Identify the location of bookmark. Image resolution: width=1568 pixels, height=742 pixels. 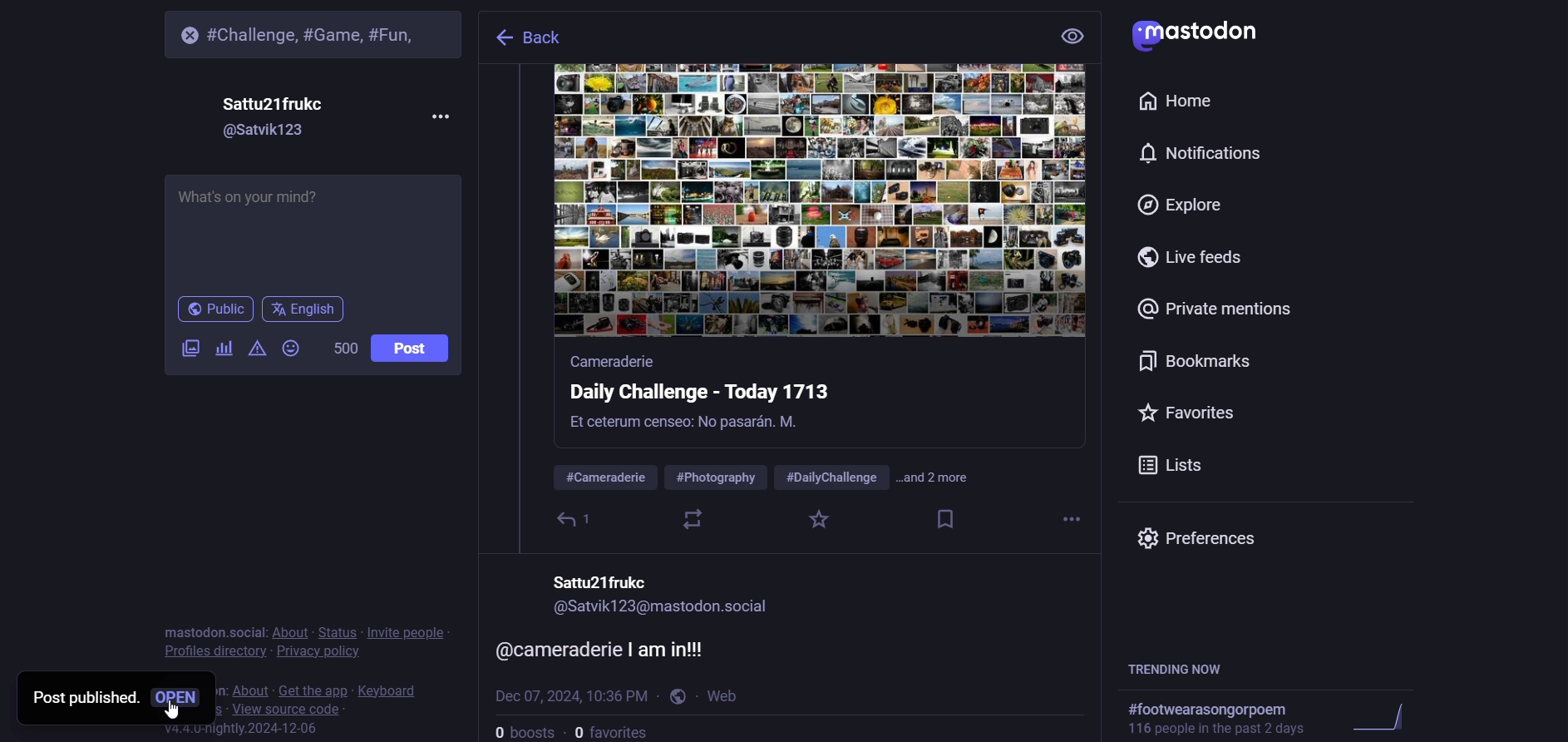
(1193, 362).